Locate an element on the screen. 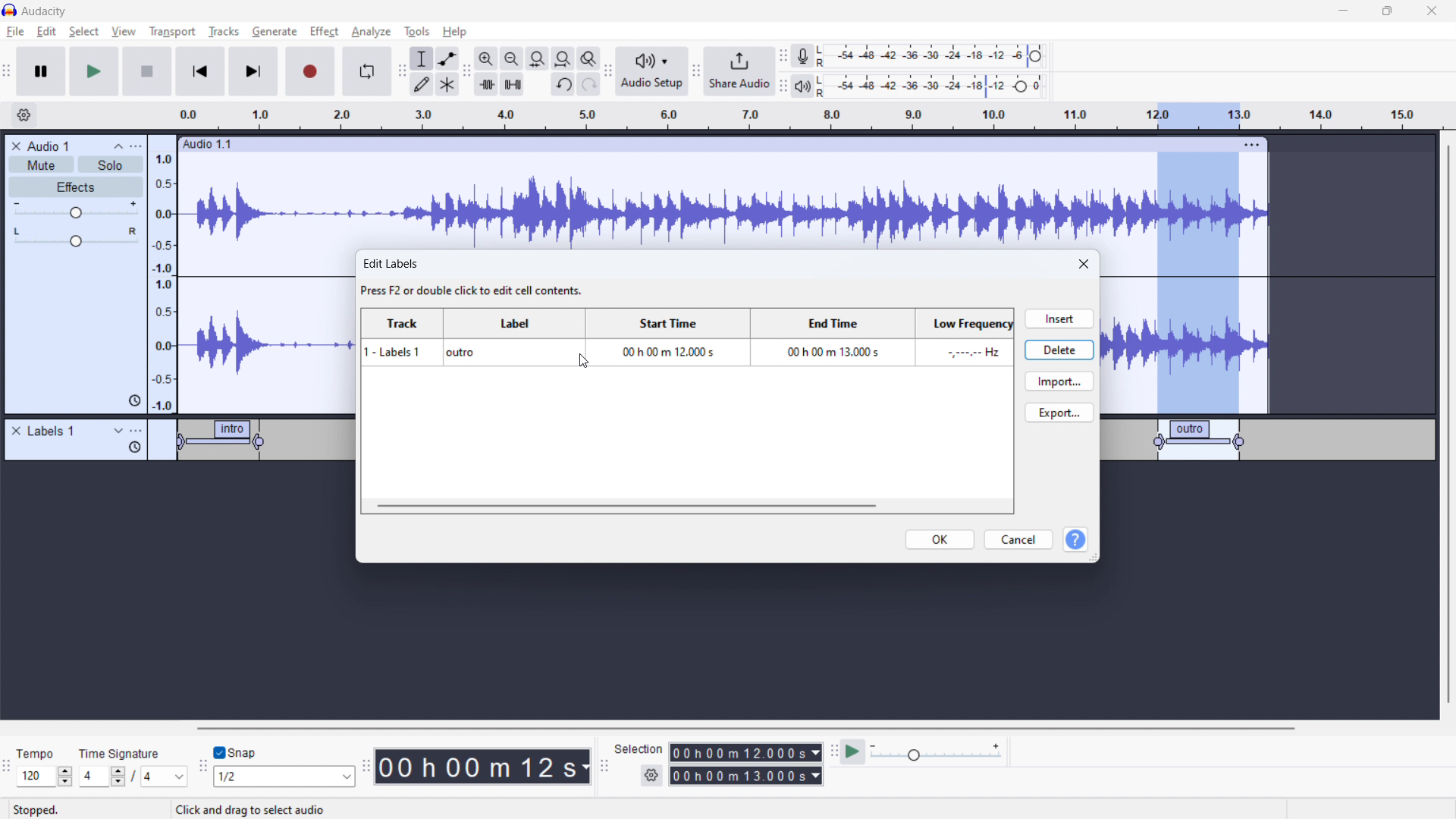  play at speed toolbar is located at coordinates (833, 753).